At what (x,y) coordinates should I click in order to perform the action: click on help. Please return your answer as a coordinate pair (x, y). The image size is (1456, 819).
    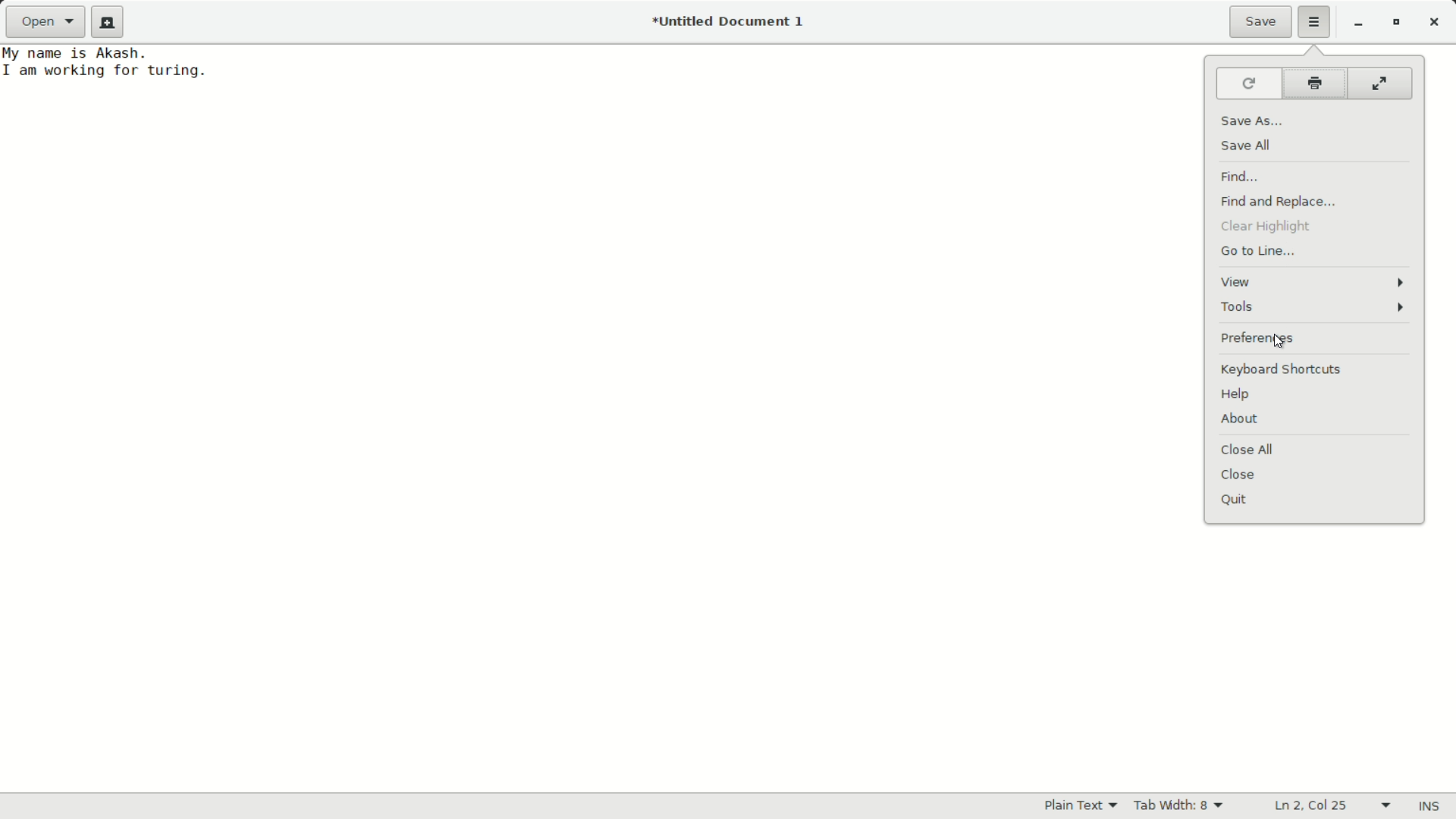
    Looking at the image, I should click on (1236, 395).